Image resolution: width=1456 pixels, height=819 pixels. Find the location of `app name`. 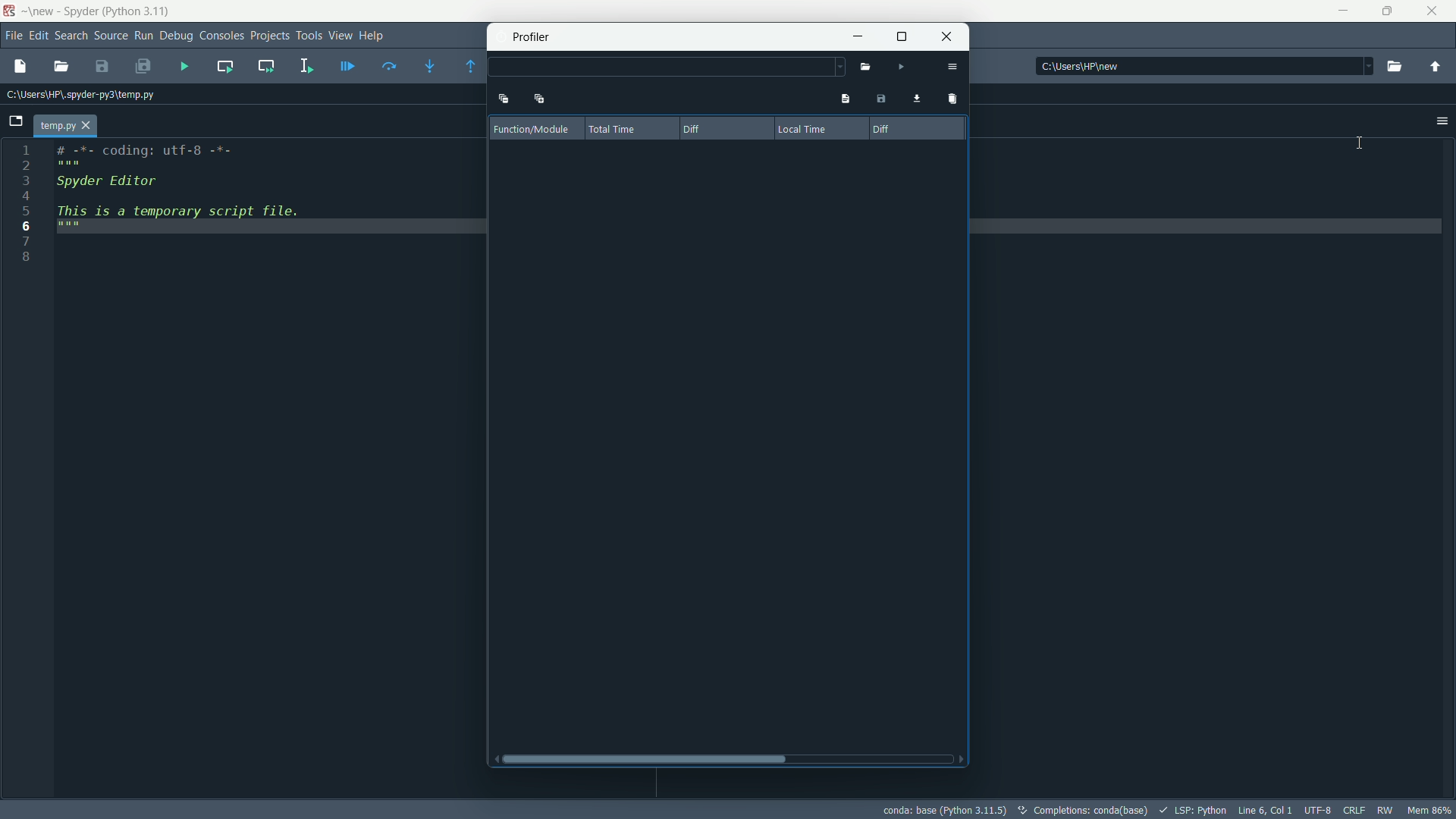

app name is located at coordinates (80, 11).